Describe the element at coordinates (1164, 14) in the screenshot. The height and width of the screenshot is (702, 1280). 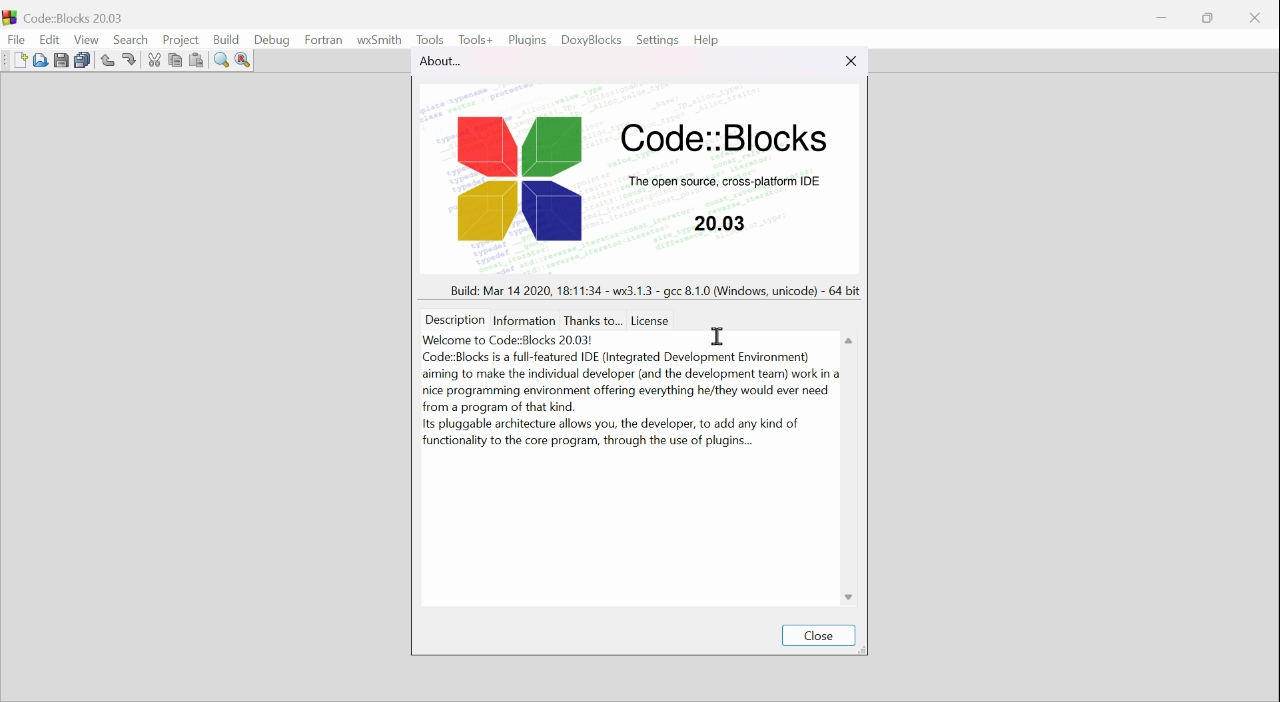
I see `minimise` at that location.